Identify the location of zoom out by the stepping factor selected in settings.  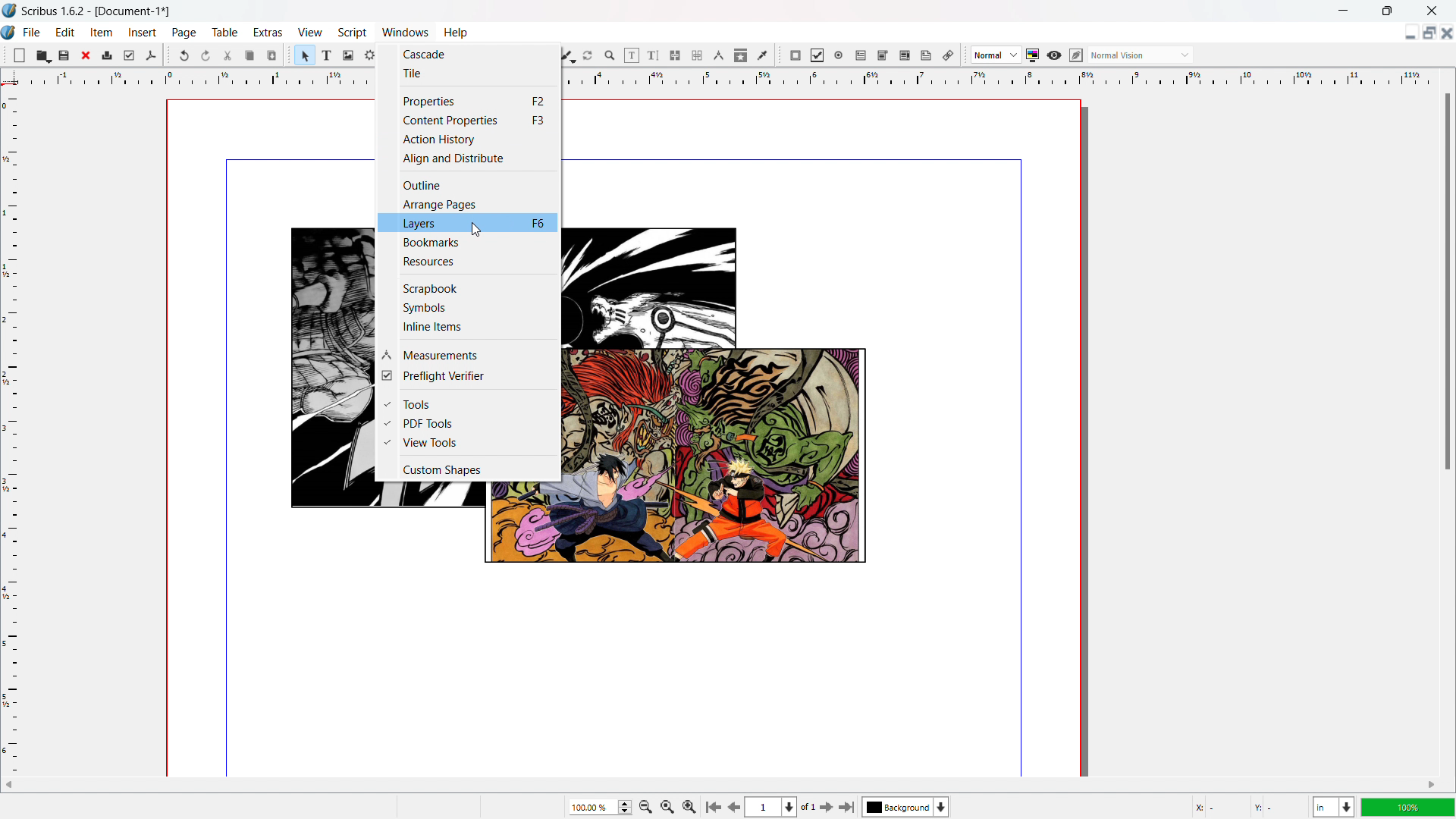
(645, 806).